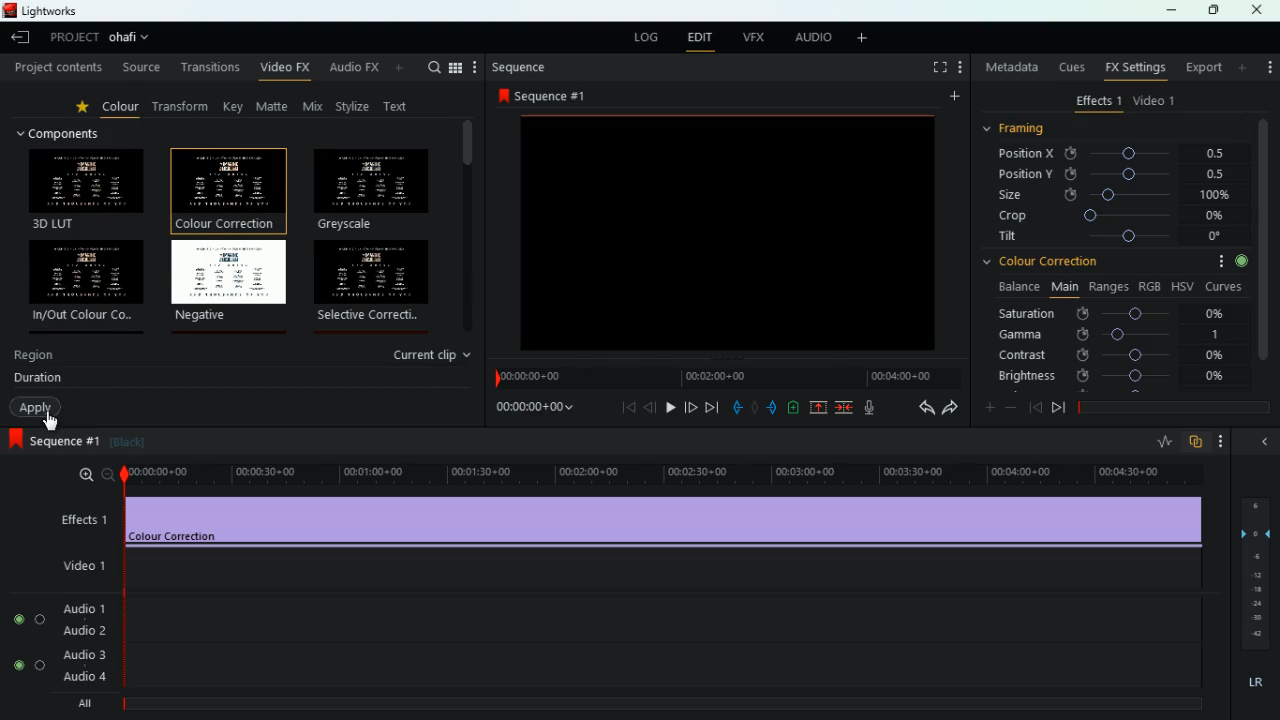 This screenshot has width=1280, height=720. I want to click on transform, so click(185, 107).